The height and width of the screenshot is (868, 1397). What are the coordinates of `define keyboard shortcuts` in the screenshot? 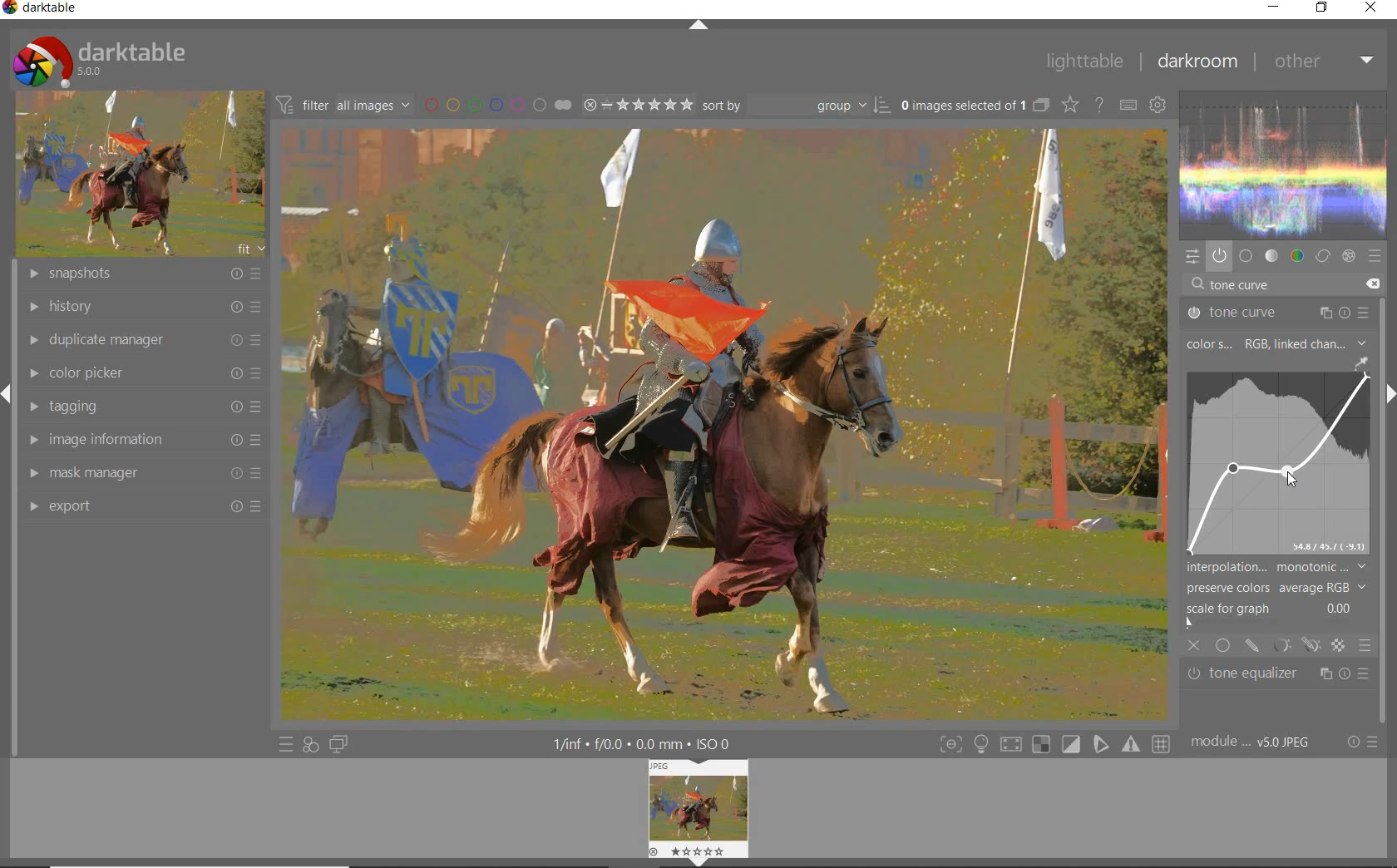 It's located at (1128, 106).